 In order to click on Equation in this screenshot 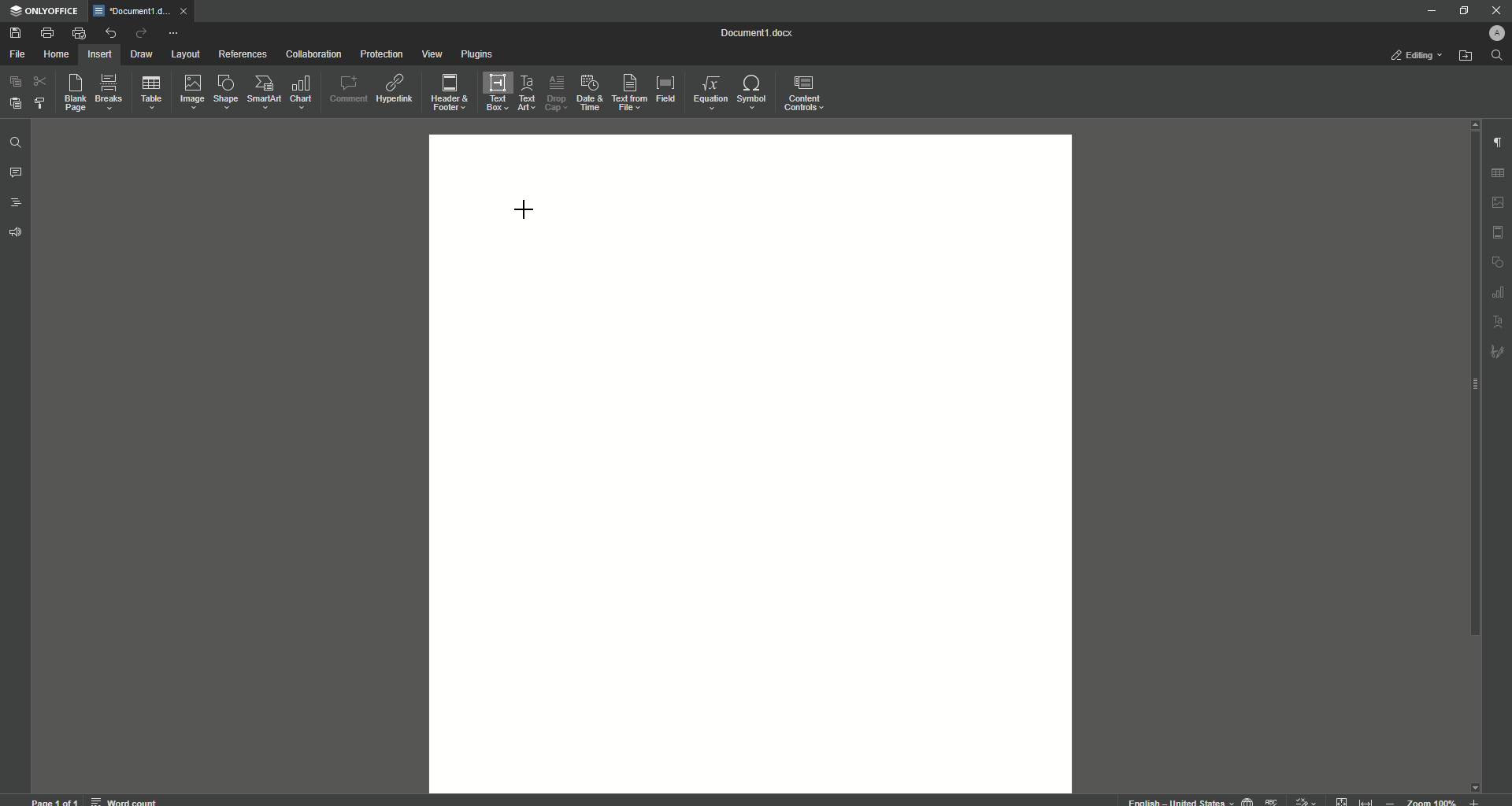, I will do `click(706, 91)`.